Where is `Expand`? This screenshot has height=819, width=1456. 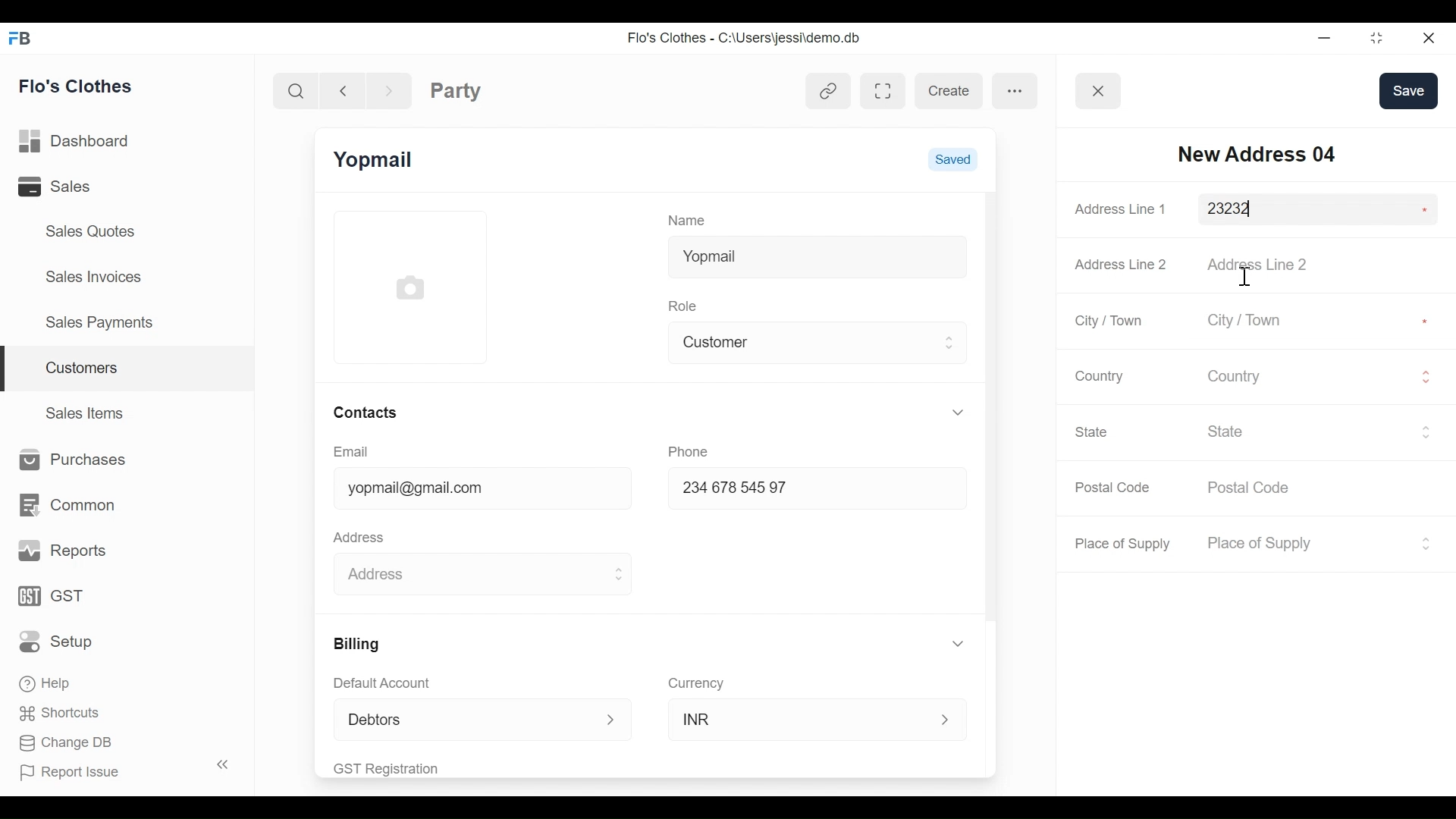
Expand is located at coordinates (958, 412).